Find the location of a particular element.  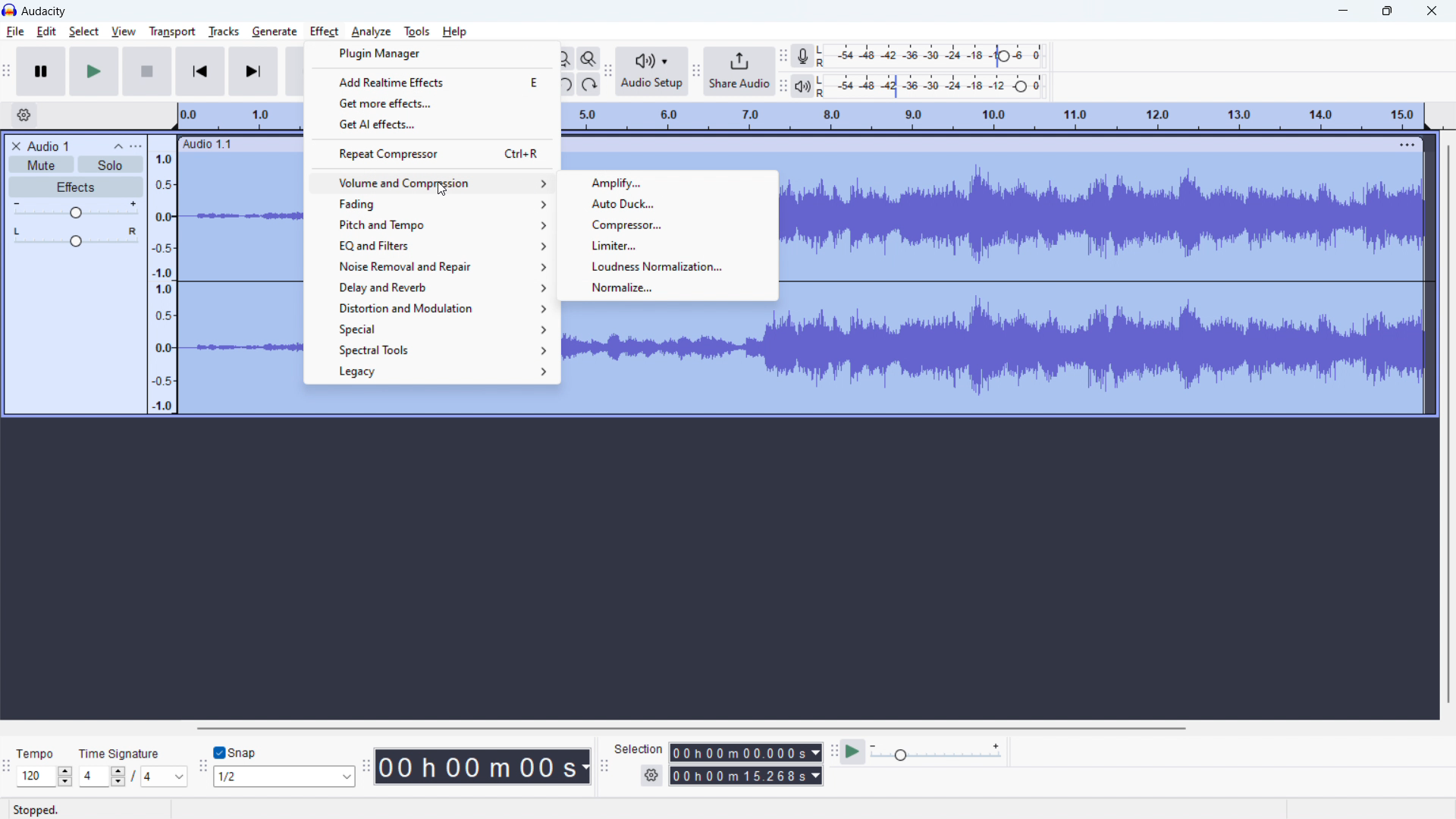

solo is located at coordinates (111, 164).